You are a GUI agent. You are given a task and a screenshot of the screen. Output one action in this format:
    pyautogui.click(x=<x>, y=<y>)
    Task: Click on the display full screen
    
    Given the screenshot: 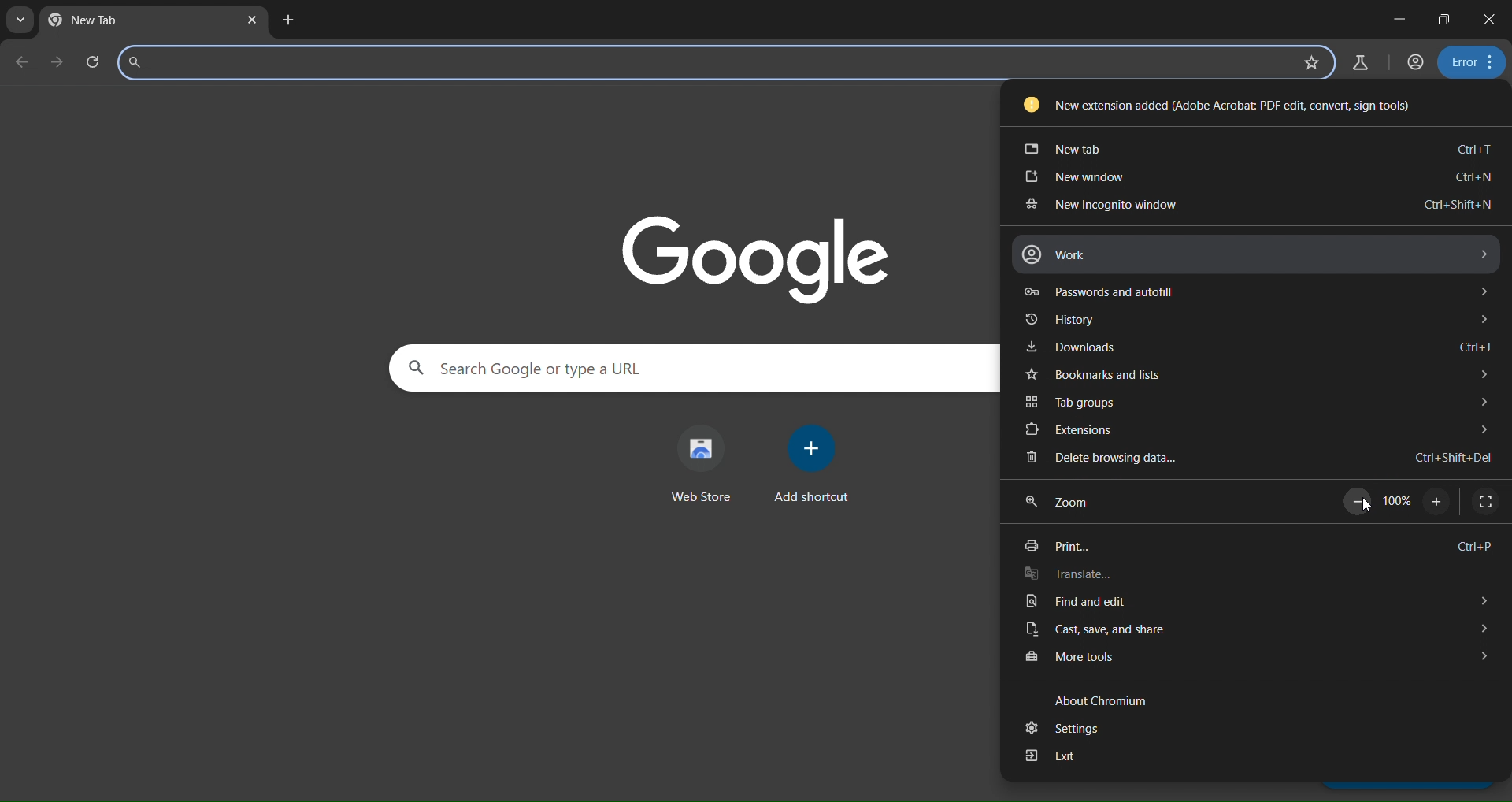 What is the action you would take?
    pyautogui.click(x=1487, y=503)
    